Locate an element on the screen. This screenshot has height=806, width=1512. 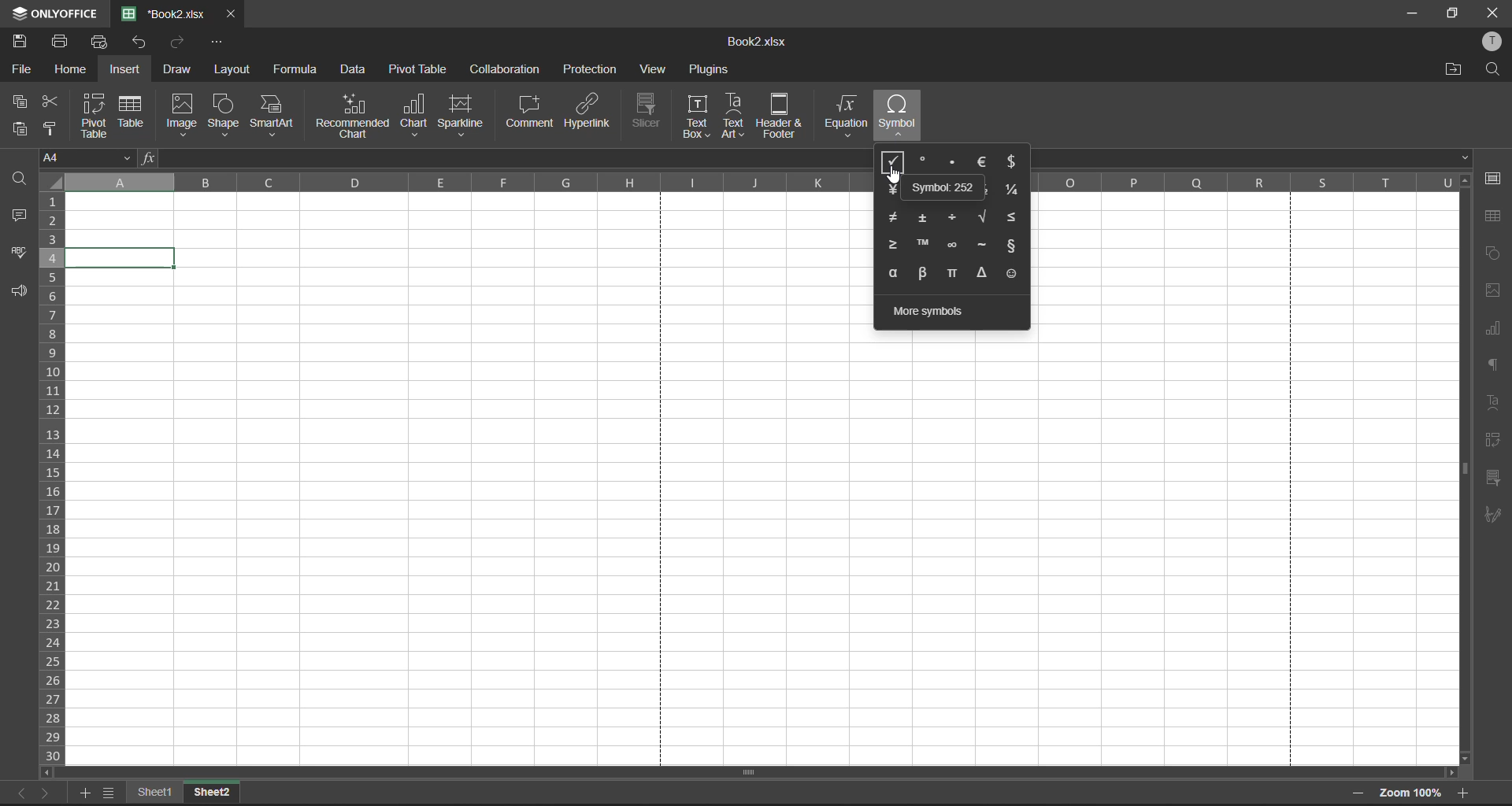
previous is located at coordinates (22, 793).